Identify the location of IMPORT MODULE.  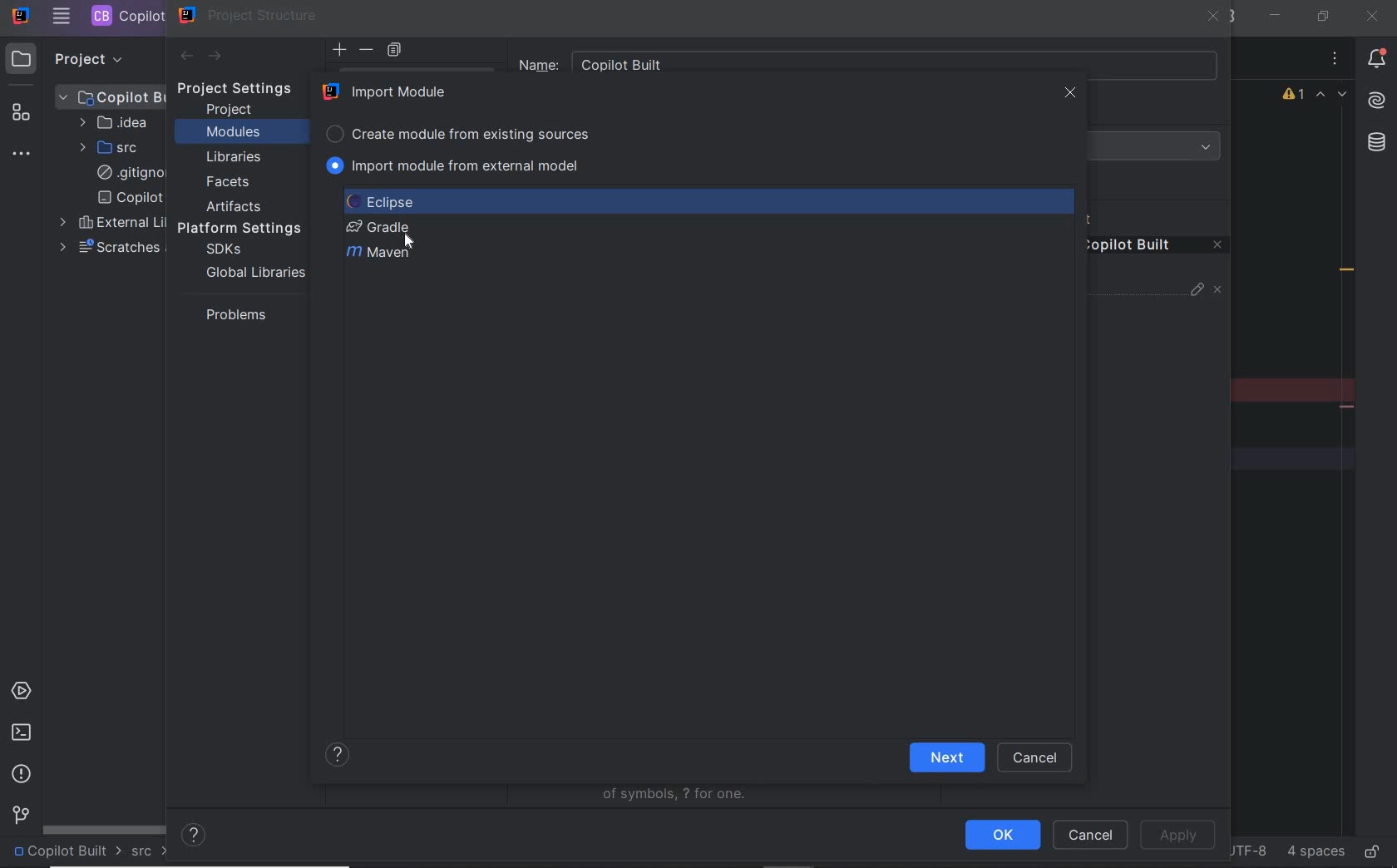
(389, 91).